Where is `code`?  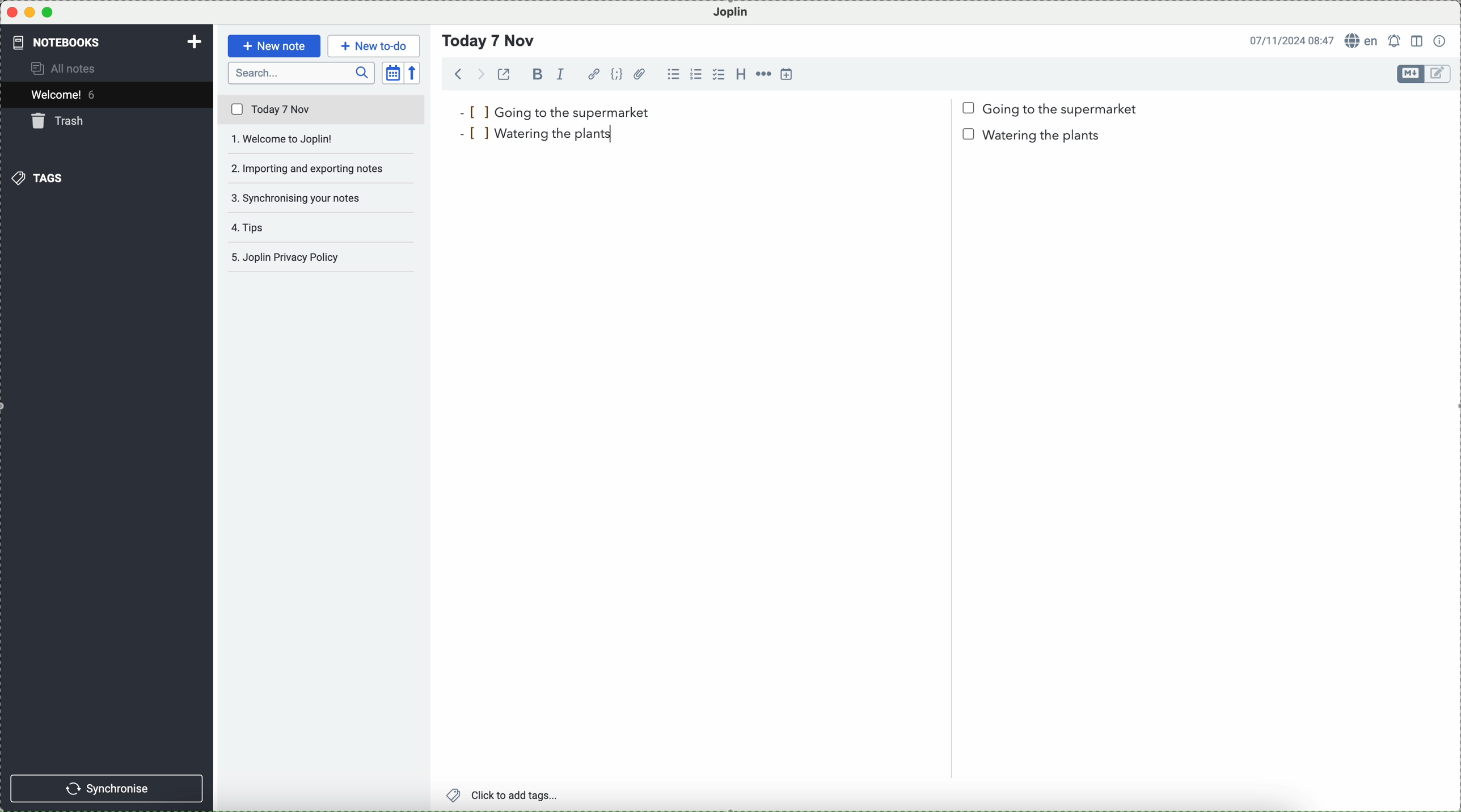
code is located at coordinates (617, 74).